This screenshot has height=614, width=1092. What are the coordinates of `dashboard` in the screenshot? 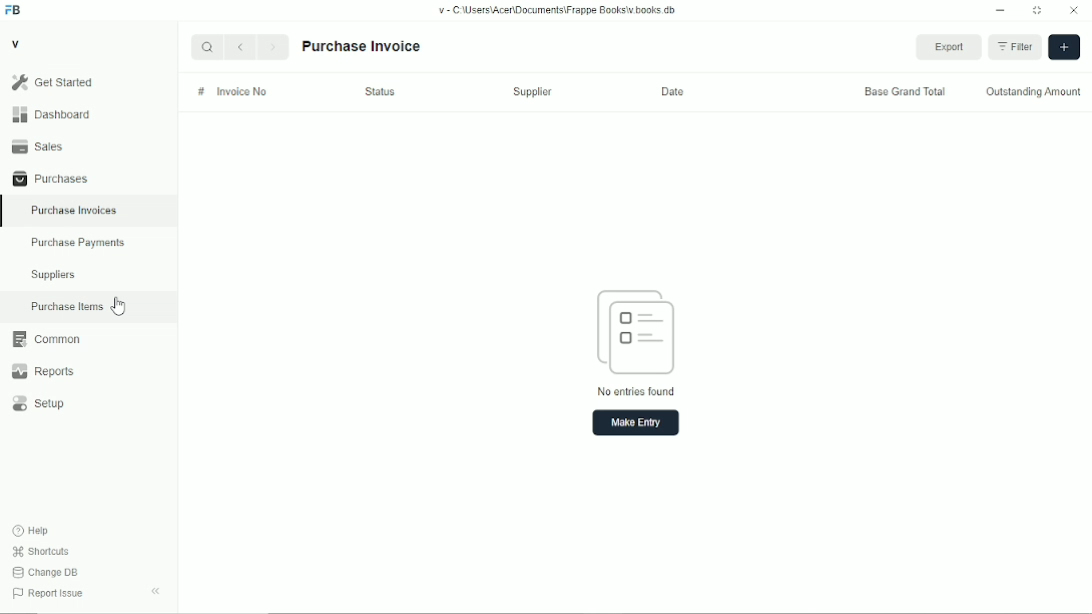 It's located at (54, 114).